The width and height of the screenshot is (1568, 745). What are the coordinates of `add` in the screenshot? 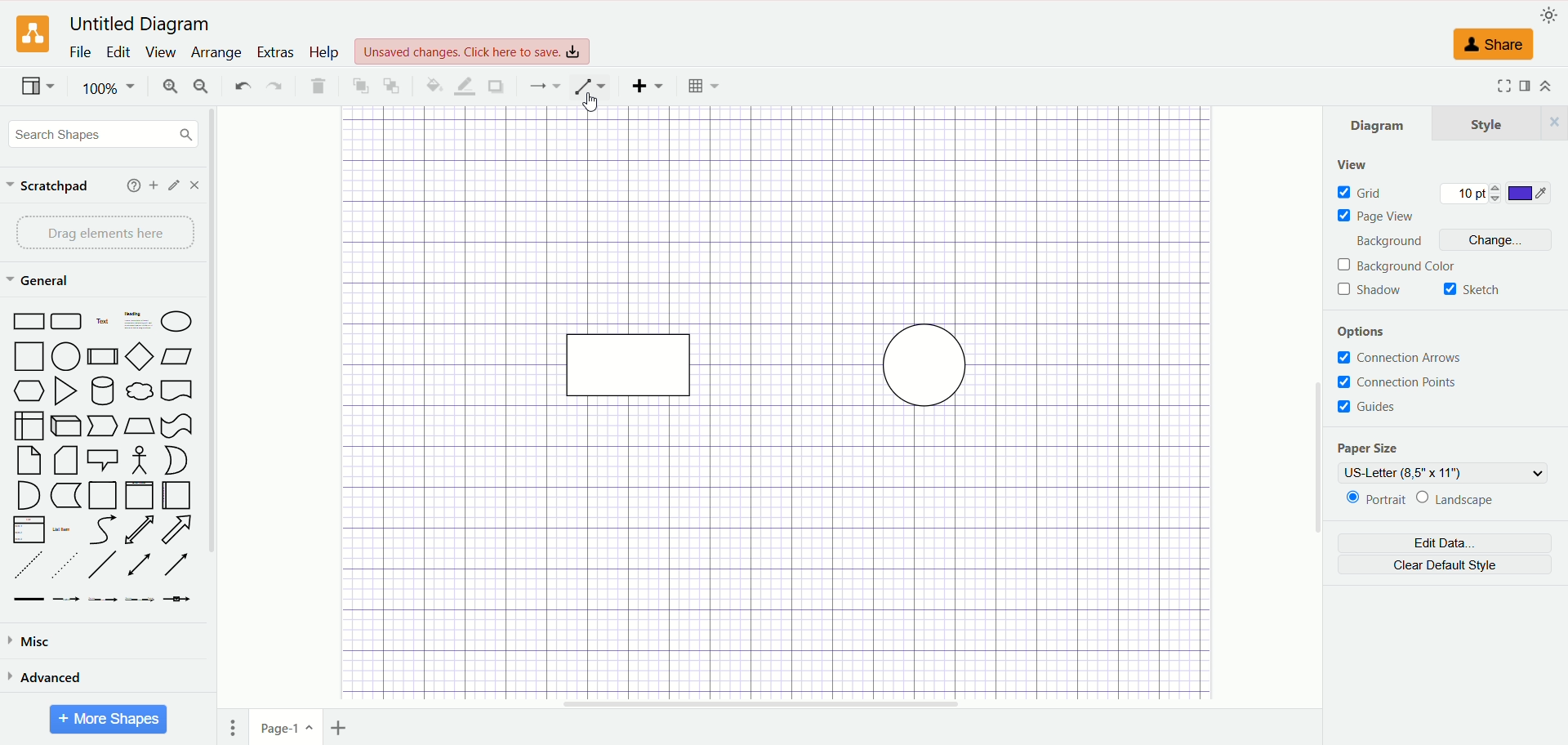 It's located at (152, 185).